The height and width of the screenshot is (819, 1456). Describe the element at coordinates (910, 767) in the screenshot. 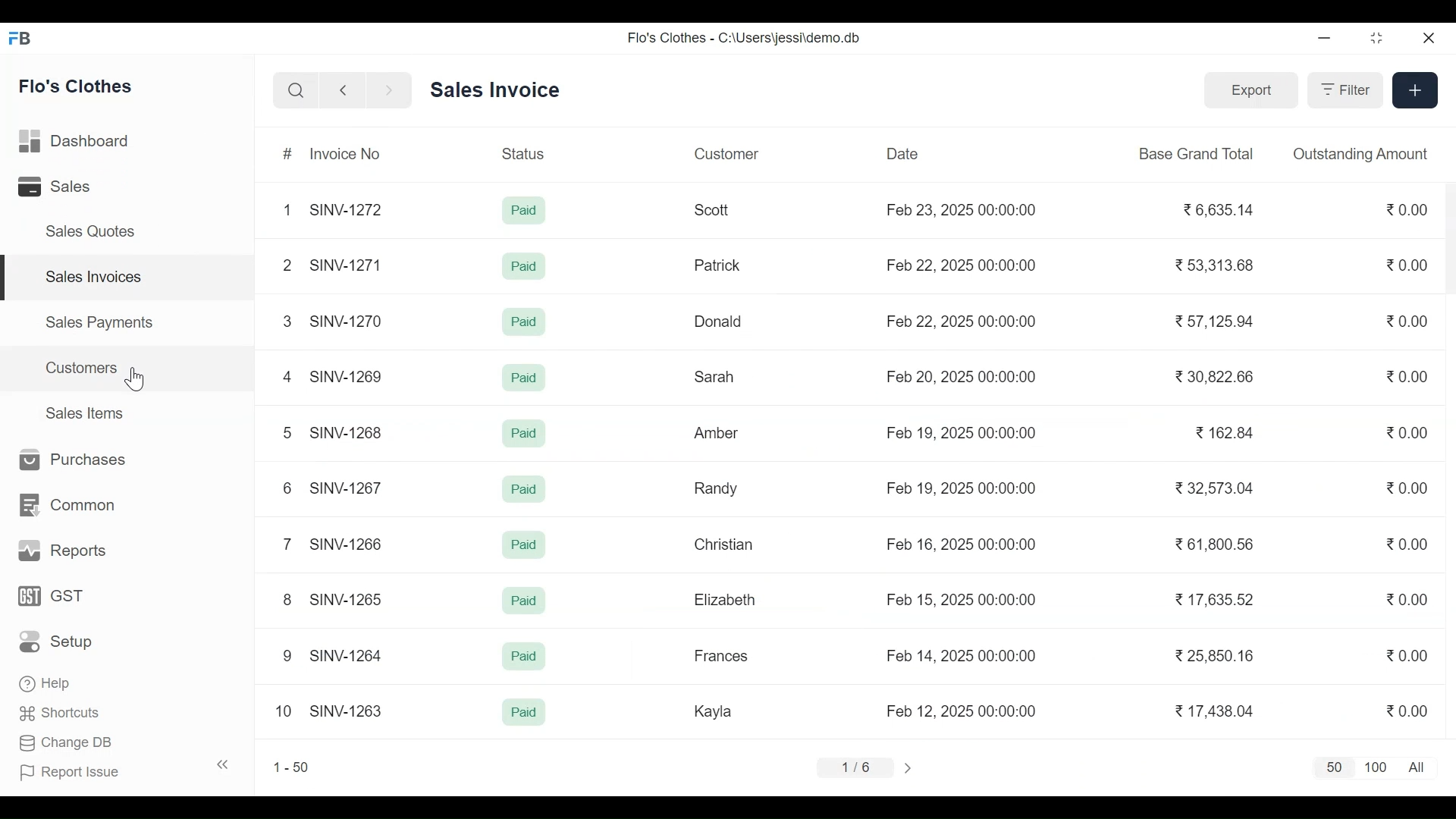

I see `>` at that location.